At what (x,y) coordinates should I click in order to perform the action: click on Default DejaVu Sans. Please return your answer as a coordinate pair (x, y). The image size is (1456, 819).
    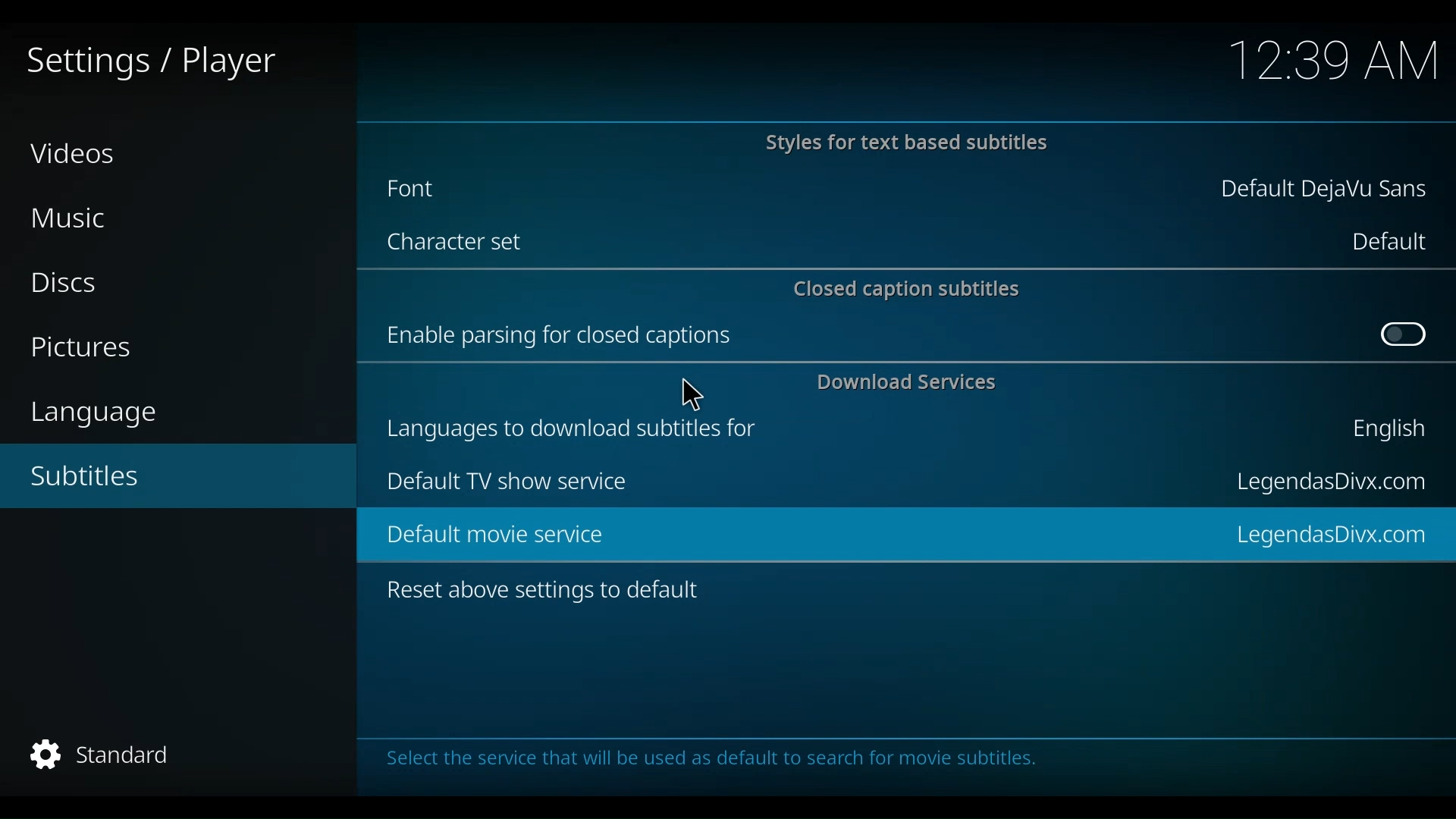
    Looking at the image, I should click on (1325, 191).